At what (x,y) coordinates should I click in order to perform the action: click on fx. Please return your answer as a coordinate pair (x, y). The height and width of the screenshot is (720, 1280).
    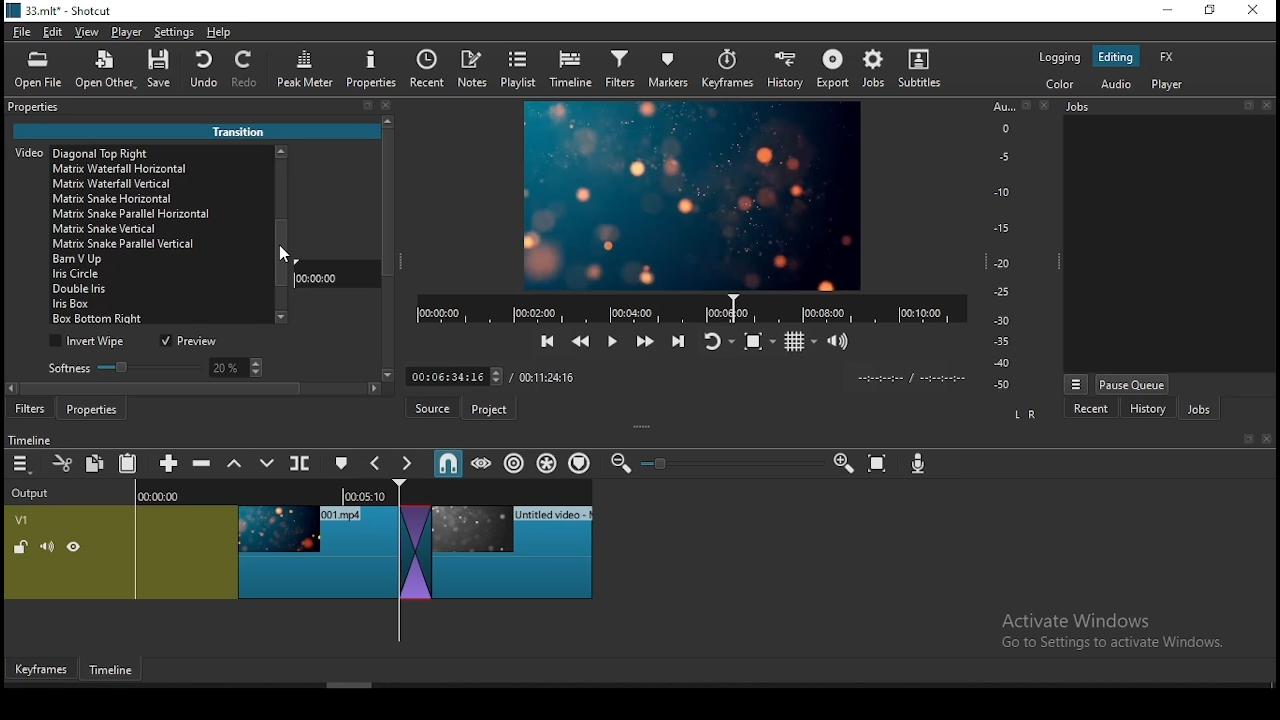
    Looking at the image, I should click on (1167, 58).